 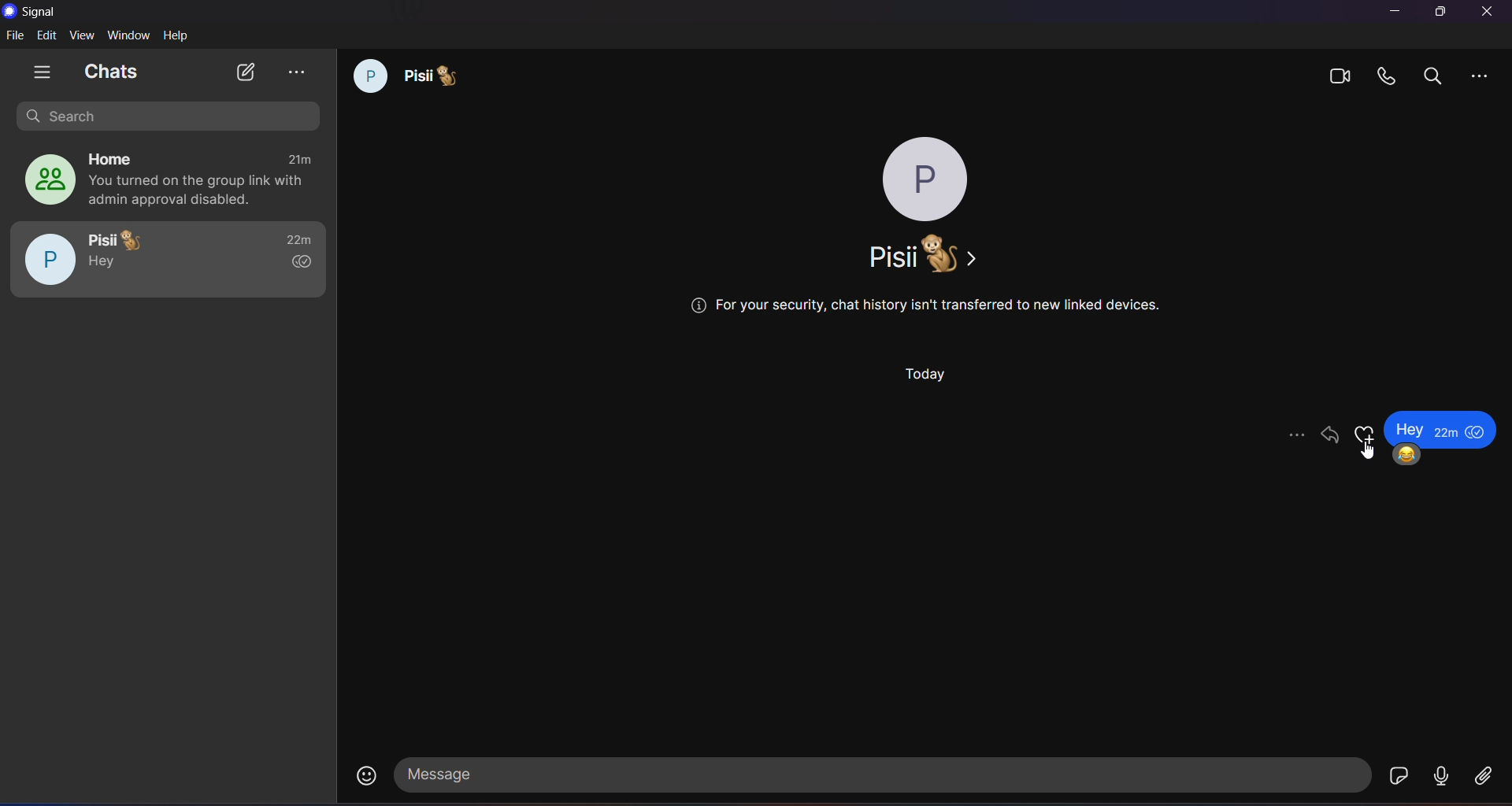 I want to click on pisii chat, so click(x=169, y=261).